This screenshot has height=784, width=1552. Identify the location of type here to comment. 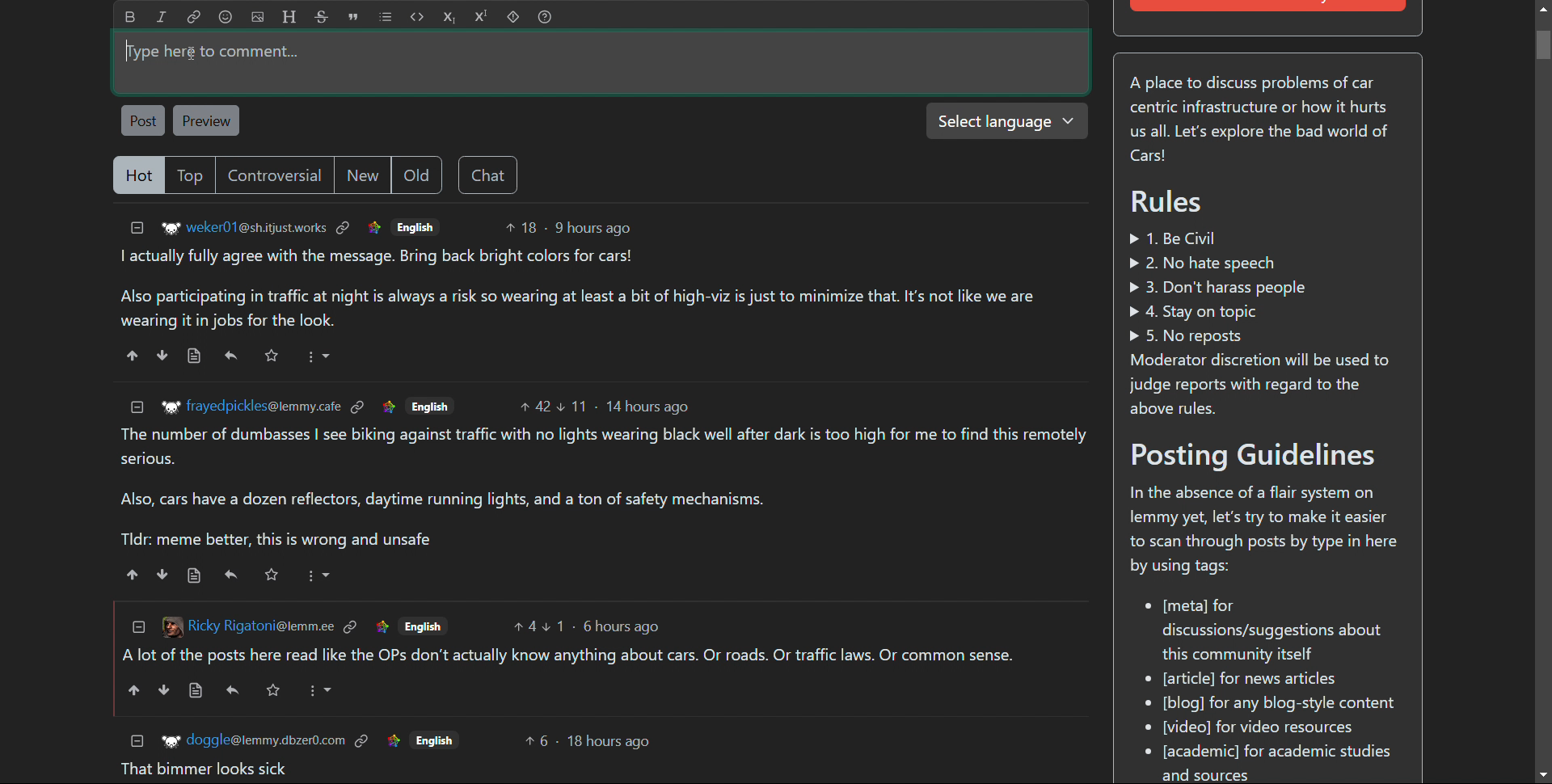
(601, 63).